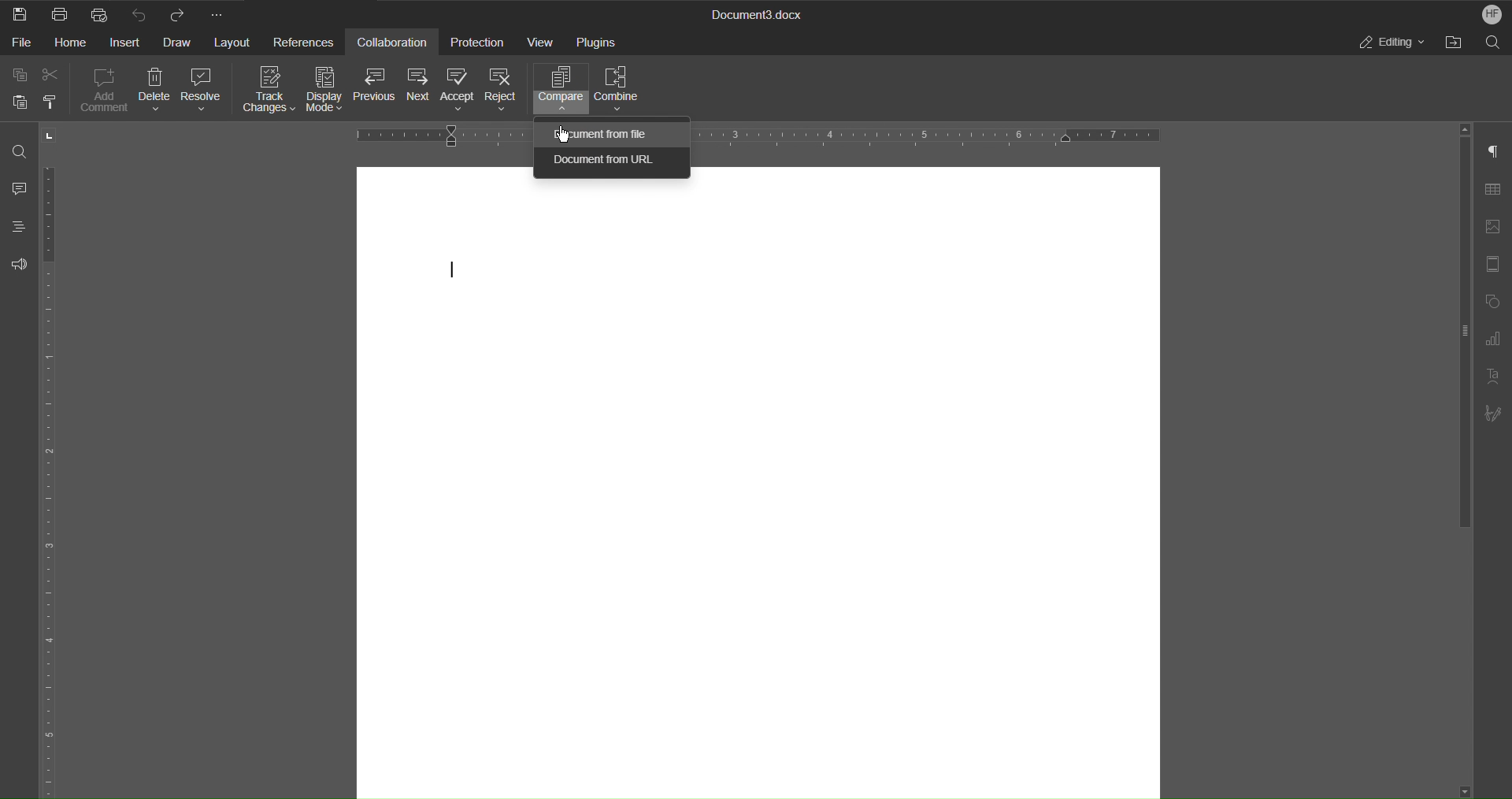 This screenshot has height=799, width=1512. What do you see at coordinates (268, 89) in the screenshot?
I see `Track Changes` at bounding box center [268, 89].